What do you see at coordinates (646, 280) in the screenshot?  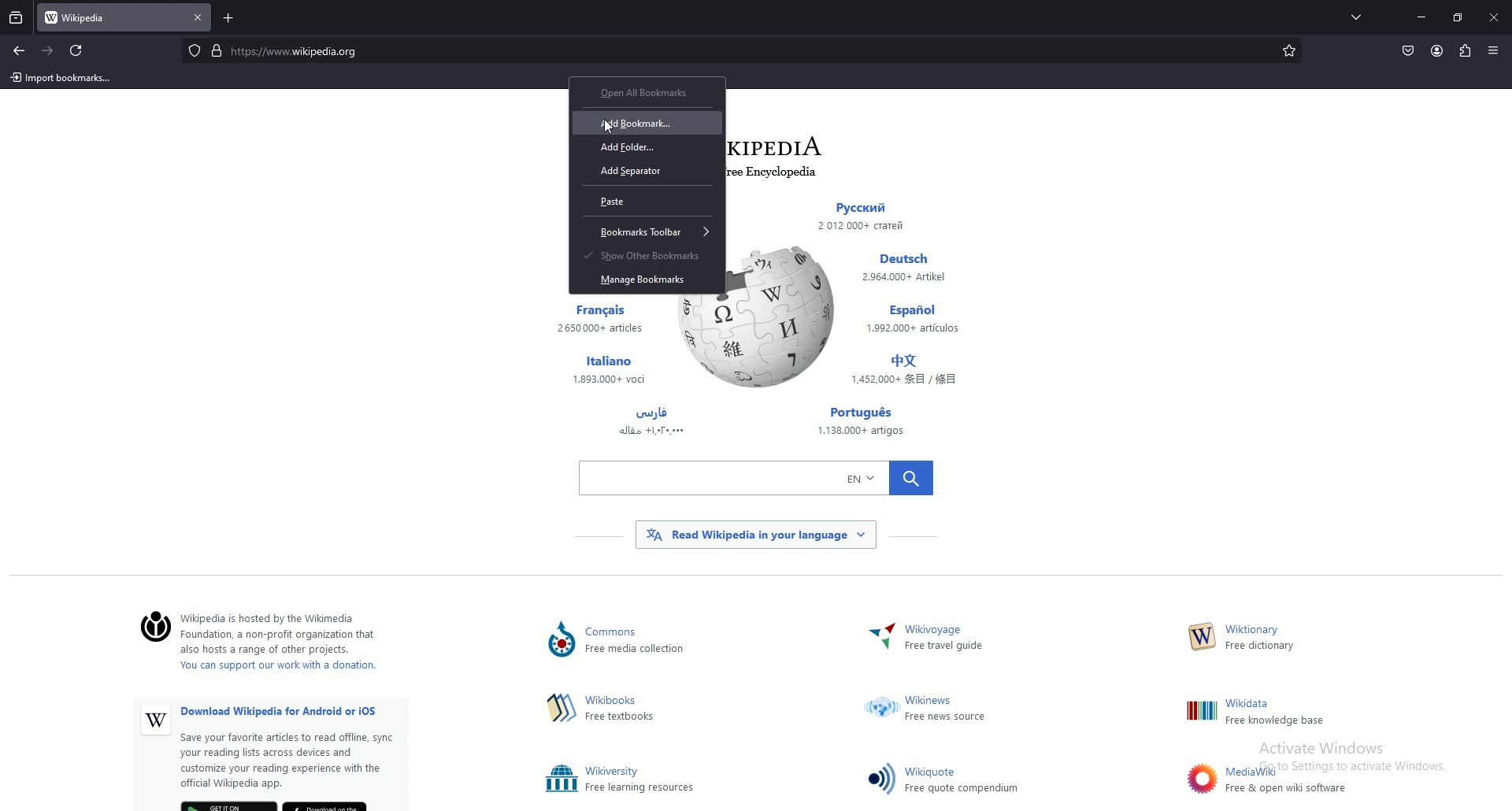 I see `manage bookmarks` at bounding box center [646, 280].